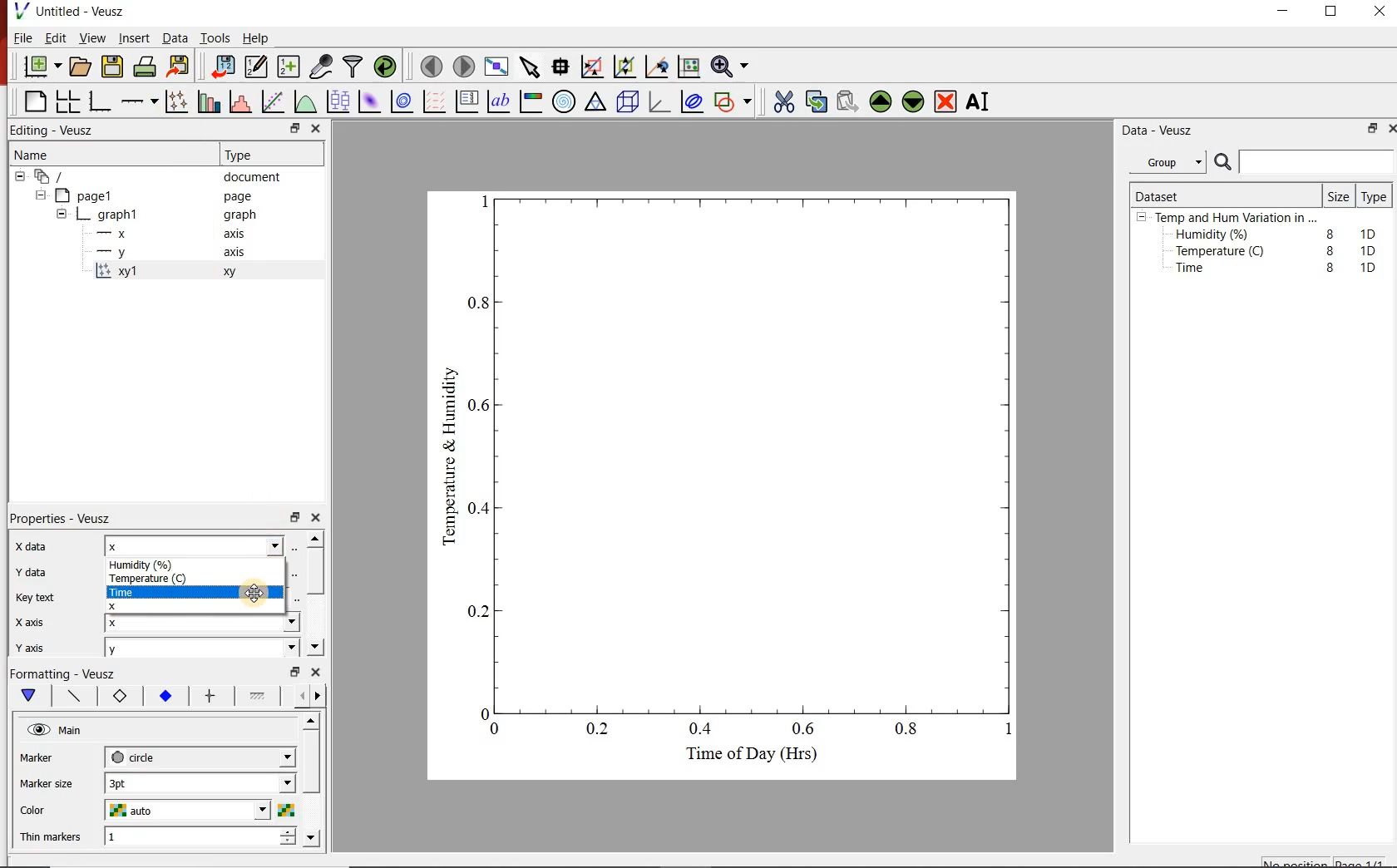 This screenshot has height=868, width=1397. Describe the element at coordinates (250, 547) in the screenshot. I see `x data dropdown` at that location.